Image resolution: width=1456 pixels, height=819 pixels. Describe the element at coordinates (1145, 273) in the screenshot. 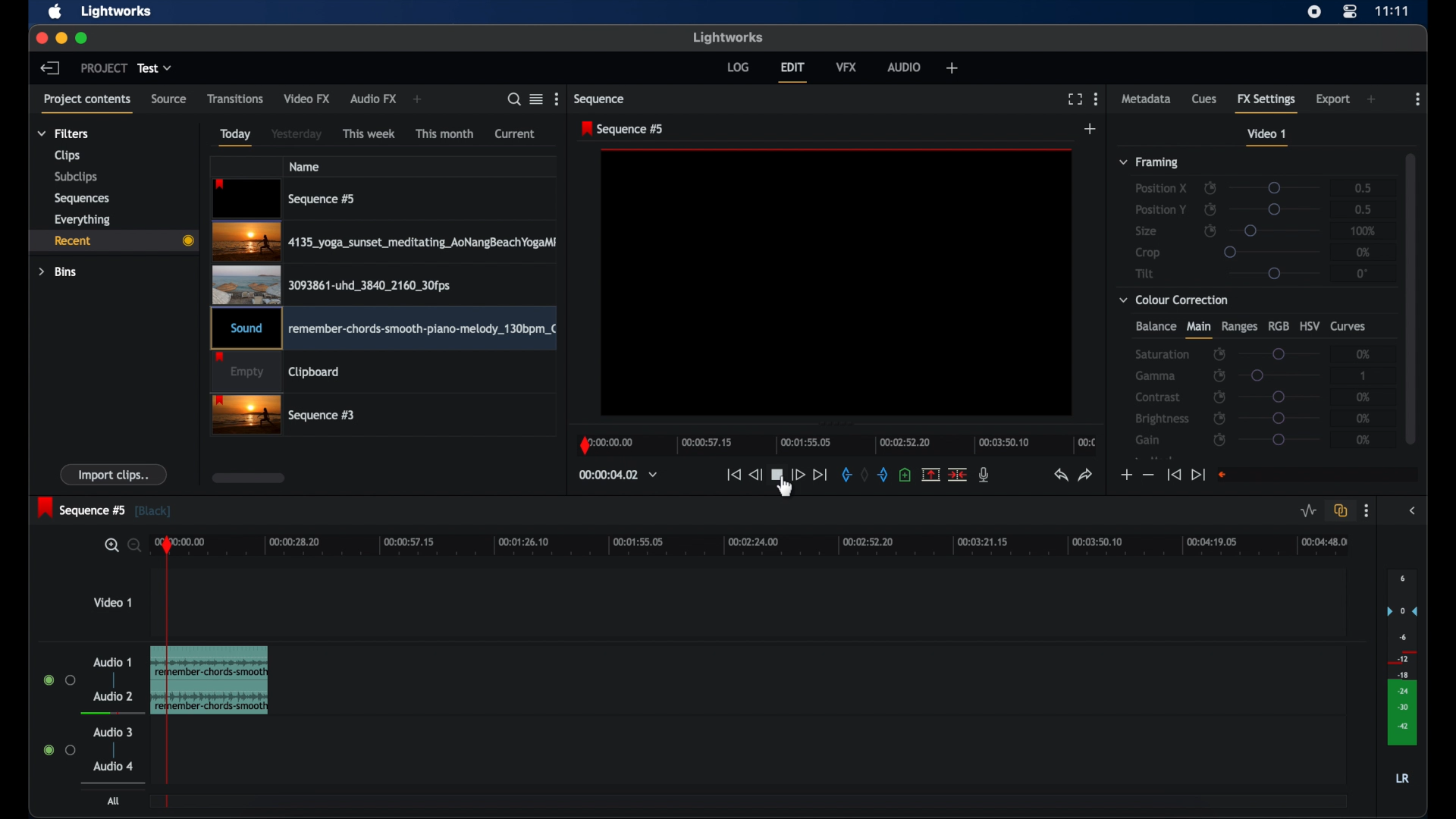

I see `tilt` at that location.